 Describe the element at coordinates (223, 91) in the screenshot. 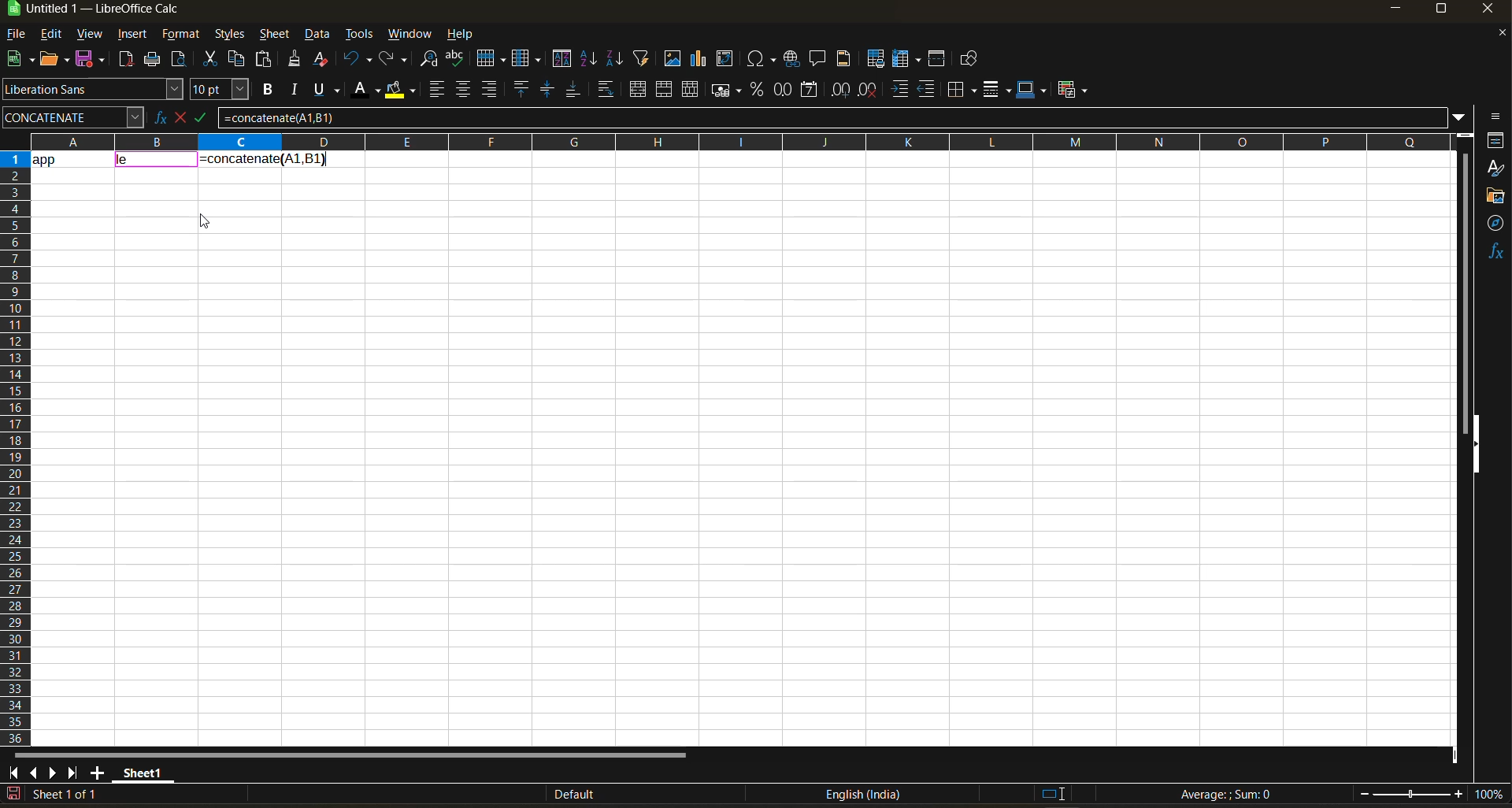

I see `font size` at that location.